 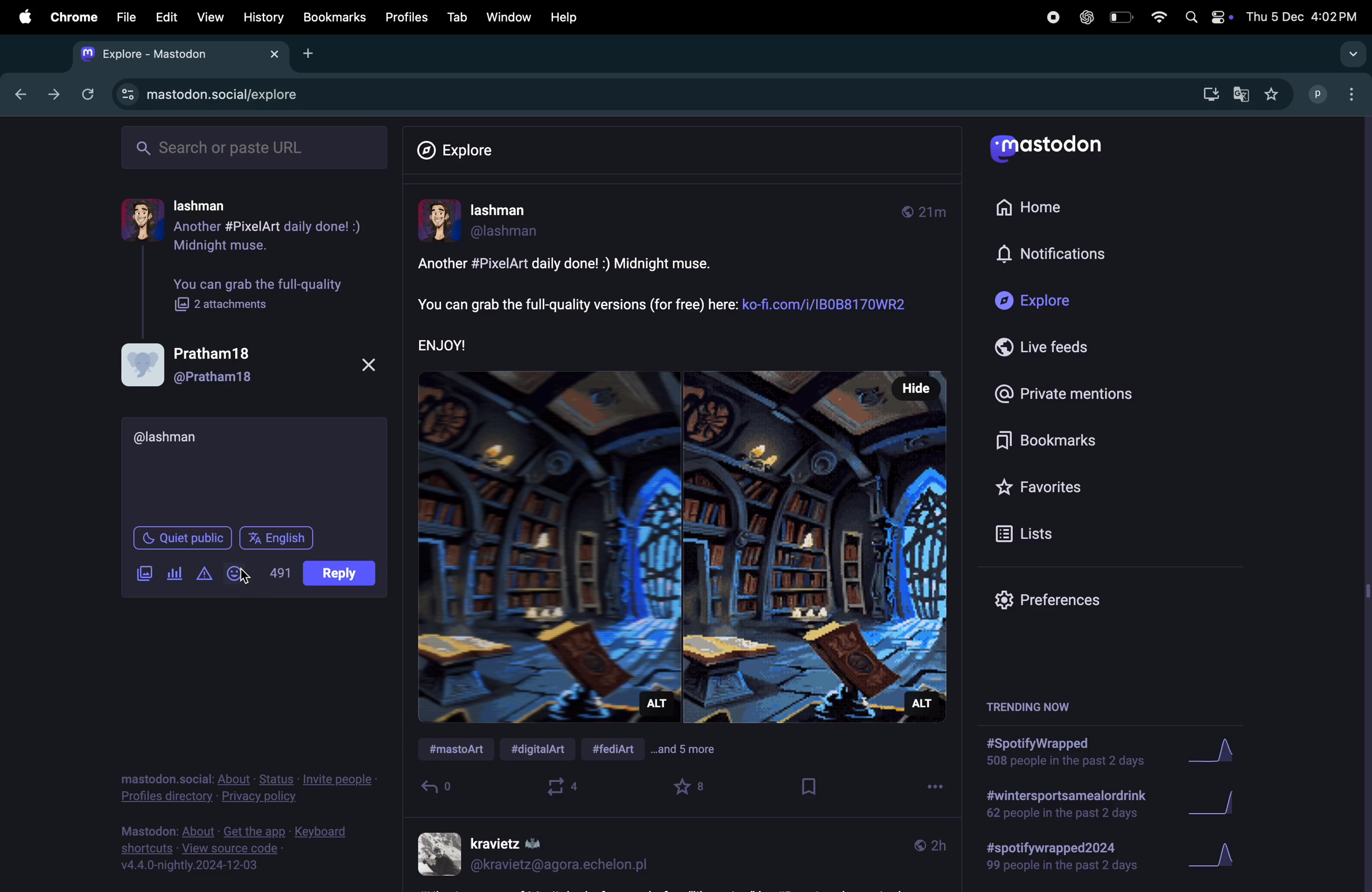 What do you see at coordinates (692, 788) in the screenshot?
I see `favourites` at bounding box center [692, 788].